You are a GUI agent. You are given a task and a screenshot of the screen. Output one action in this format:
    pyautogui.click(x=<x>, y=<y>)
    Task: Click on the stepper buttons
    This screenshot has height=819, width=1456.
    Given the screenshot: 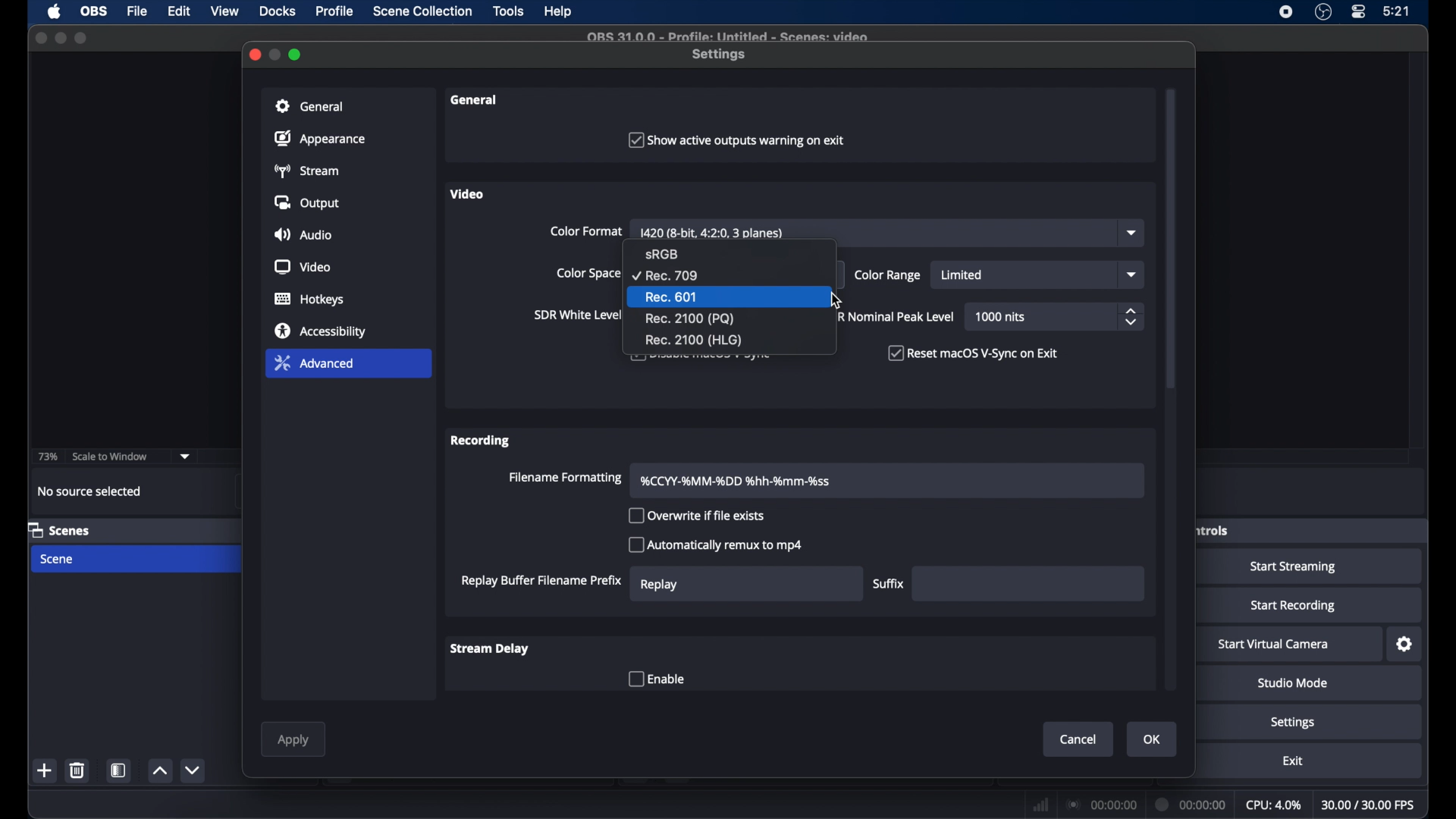 What is the action you would take?
    pyautogui.click(x=1130, y=317)
    